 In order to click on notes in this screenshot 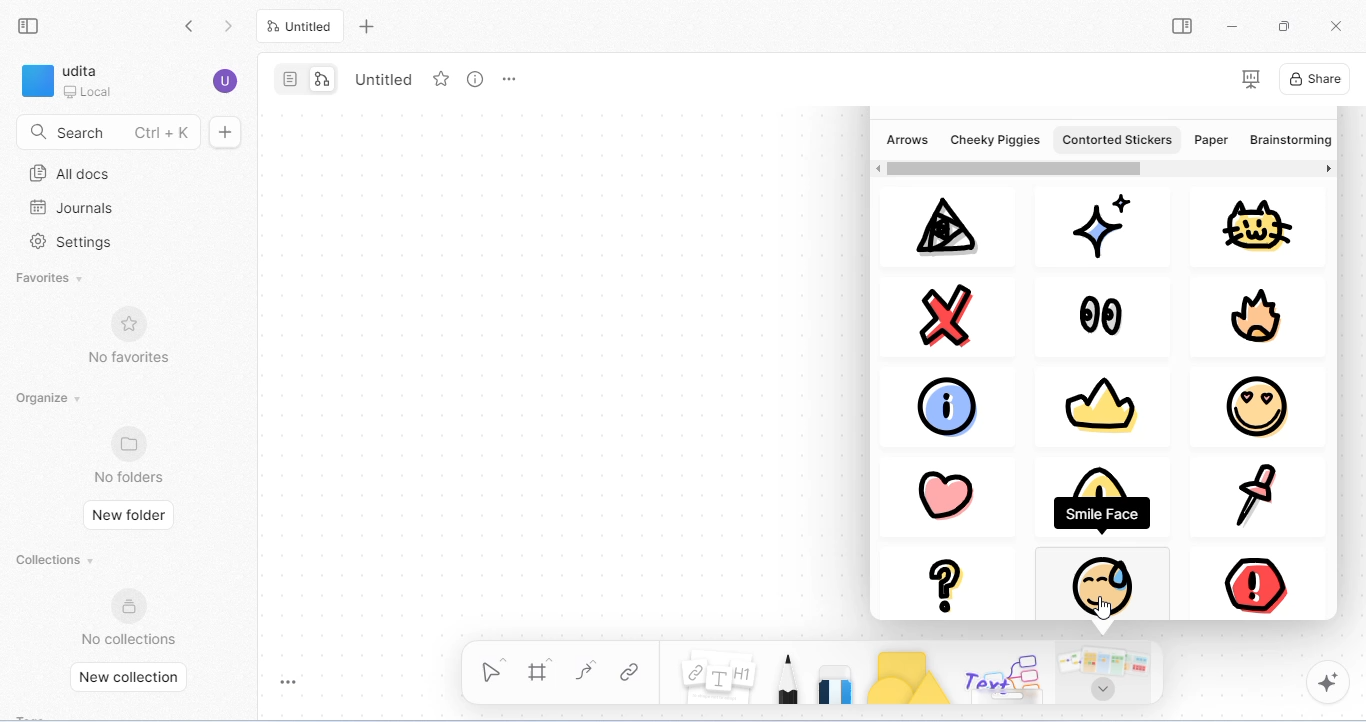, I will do `click(719, 674)`.